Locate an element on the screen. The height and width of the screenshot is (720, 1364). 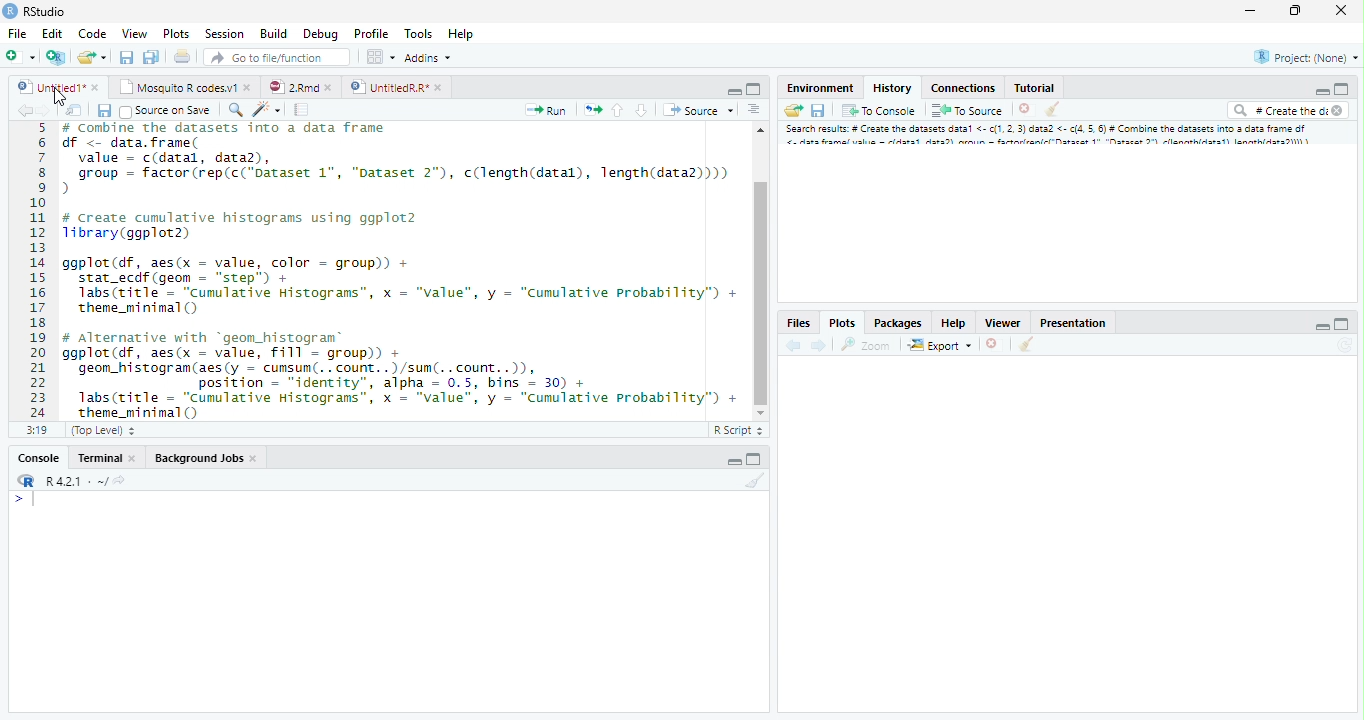
Connections is located at coordinates (964, 88).